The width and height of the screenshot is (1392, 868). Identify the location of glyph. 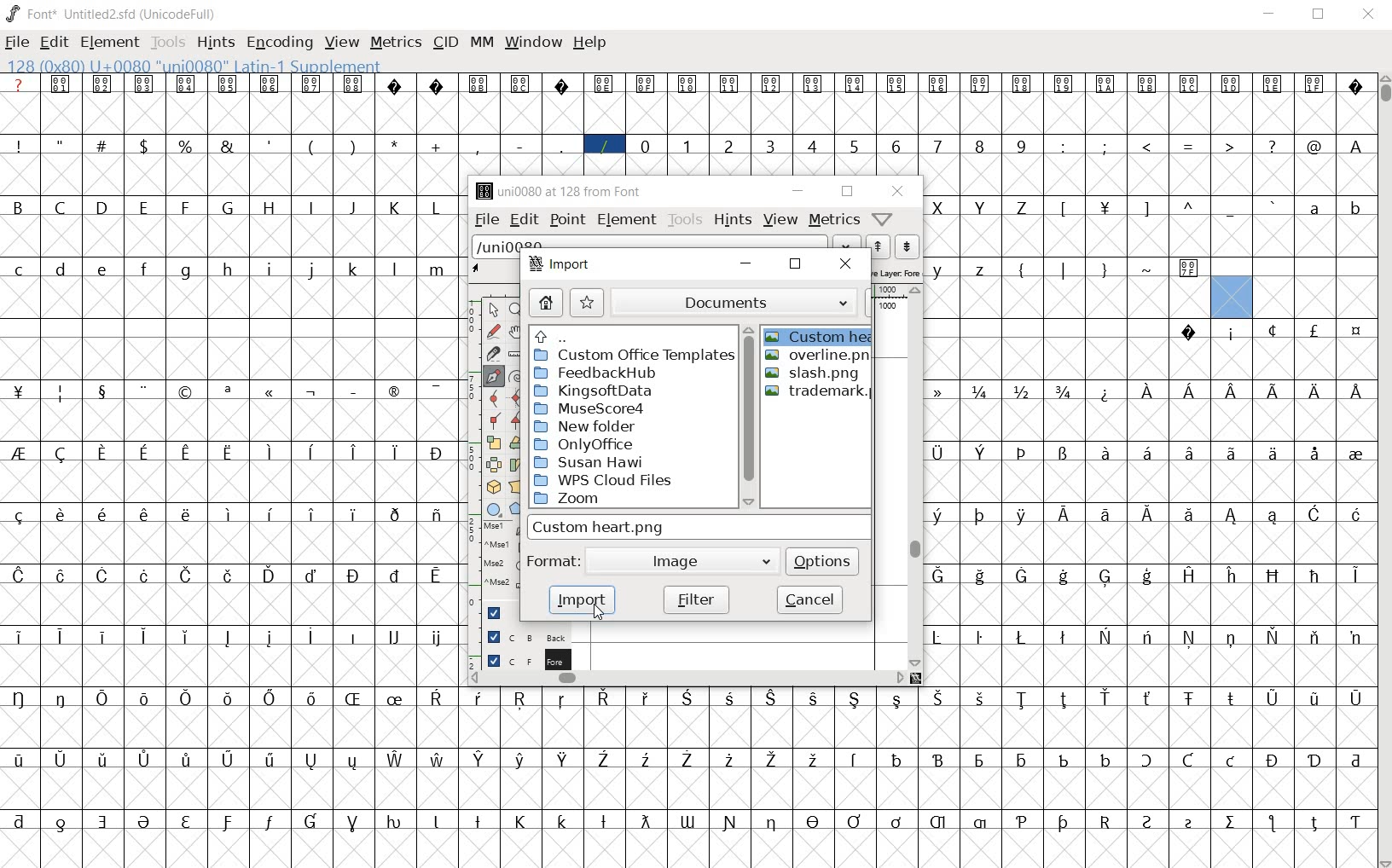
(1232, 335).